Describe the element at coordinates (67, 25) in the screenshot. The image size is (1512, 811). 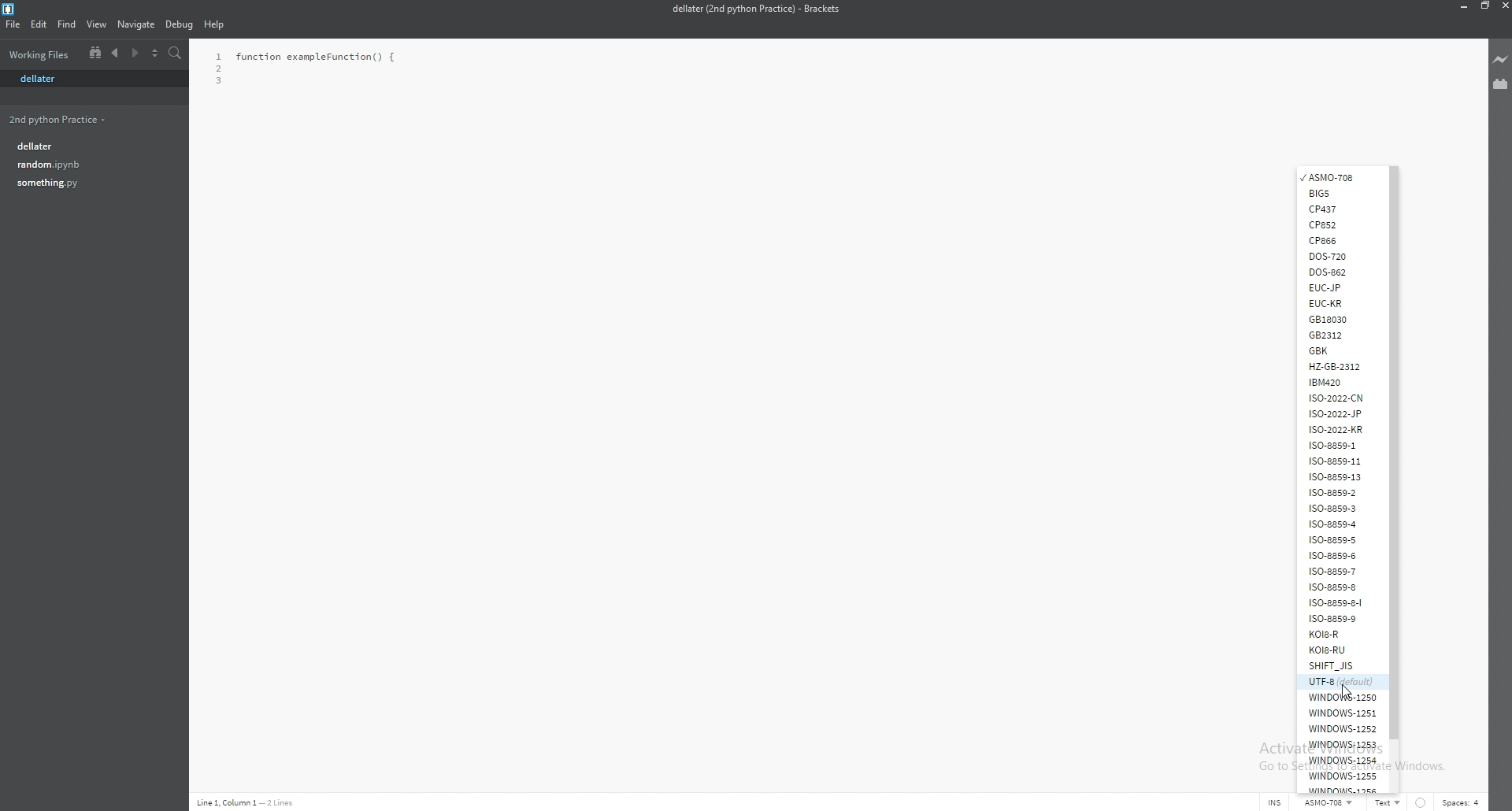
I see `find` at that location.